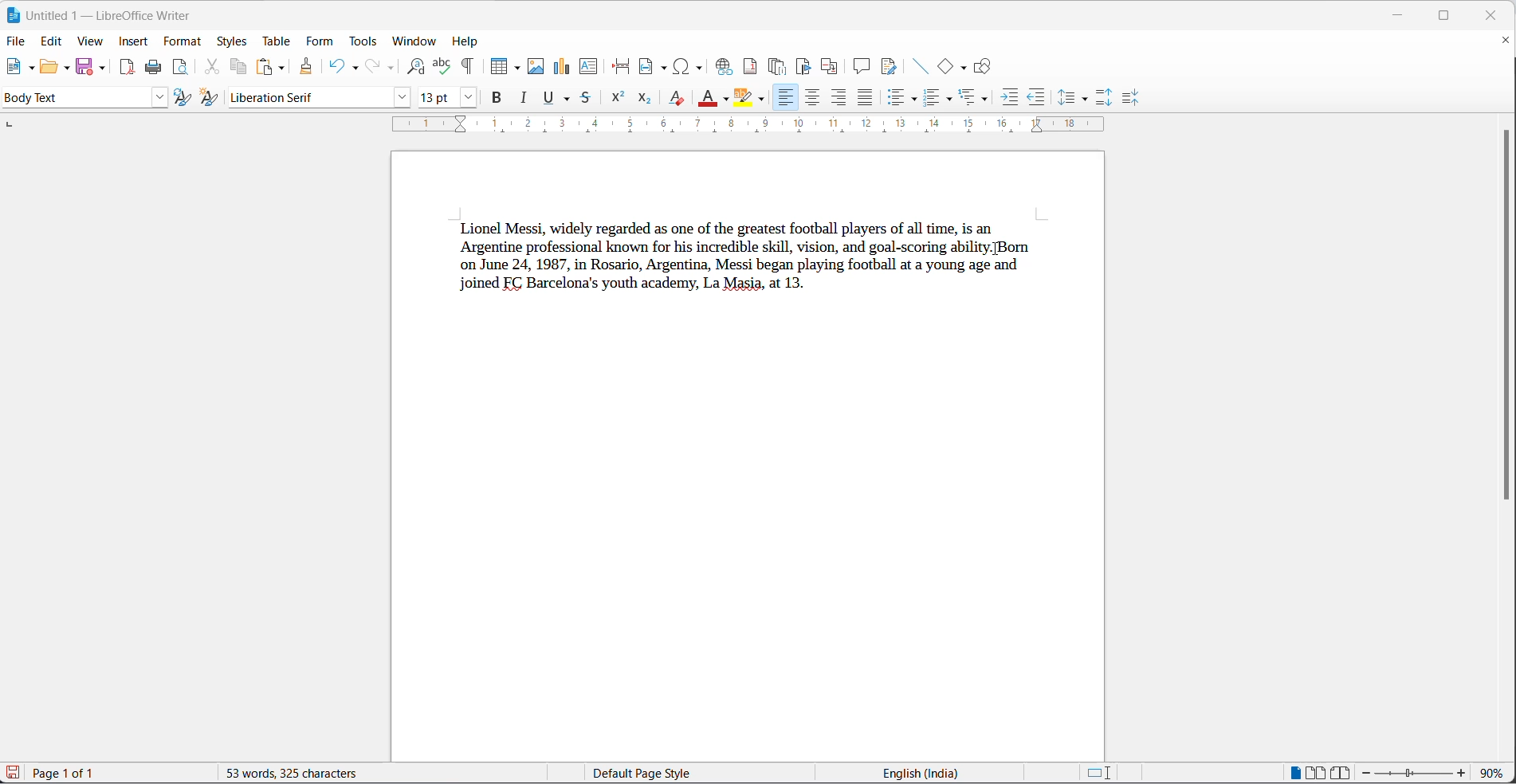  I want to click on justified, so click(866, 97).